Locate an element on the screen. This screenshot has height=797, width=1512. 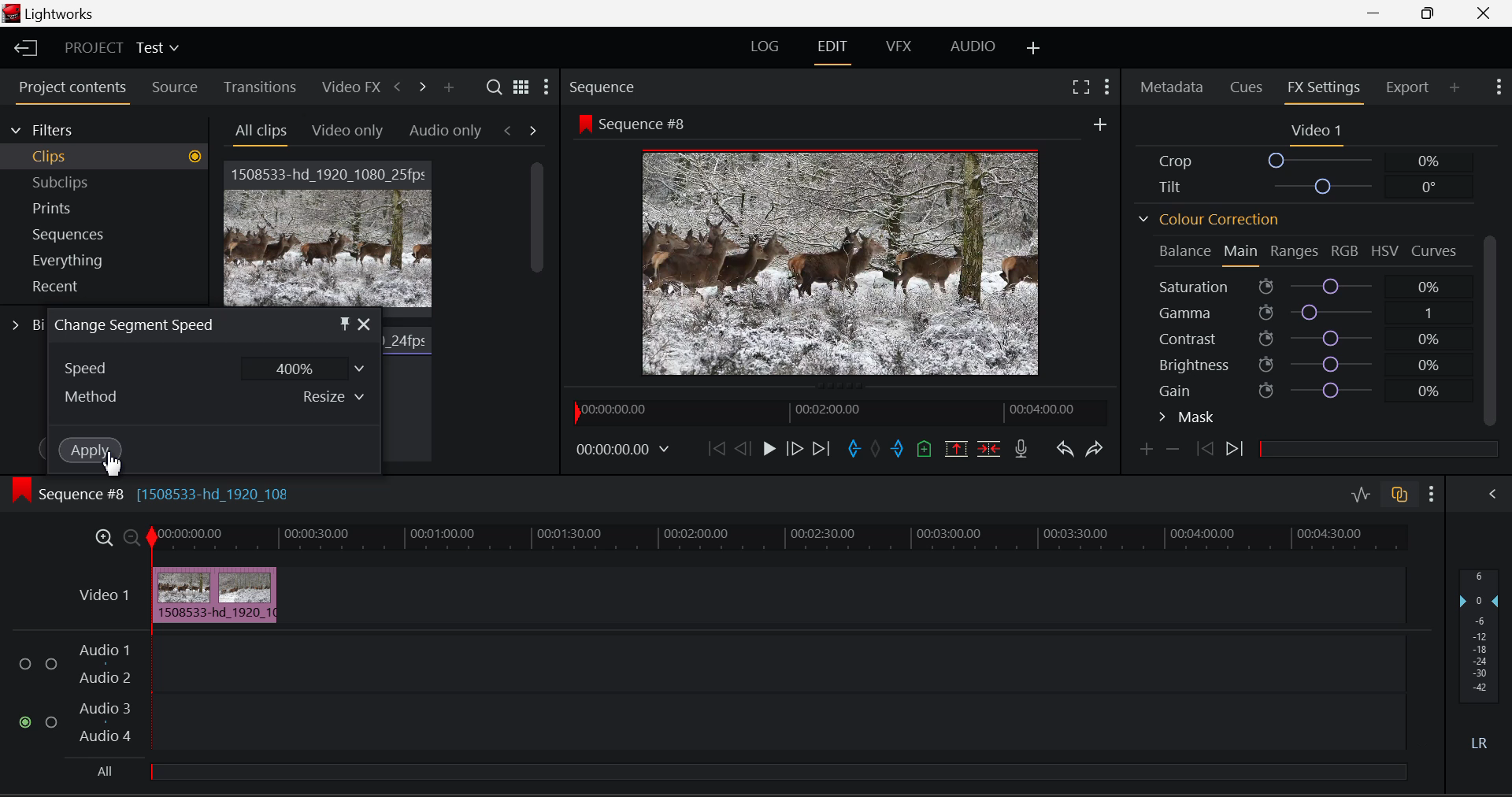
Cursor is located at coordinates (113, 463).